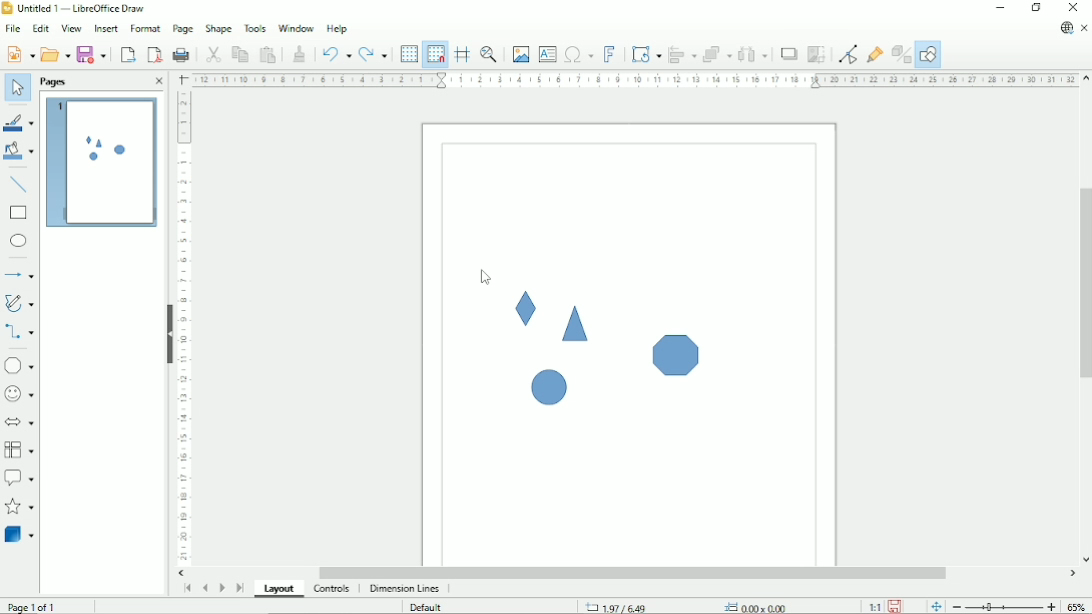 The height and width of the screenshot is (614, 1092). What do you see at coordinates (21, 123) in the screenshot?
I see `Line color` at bounding box center [21, 123].